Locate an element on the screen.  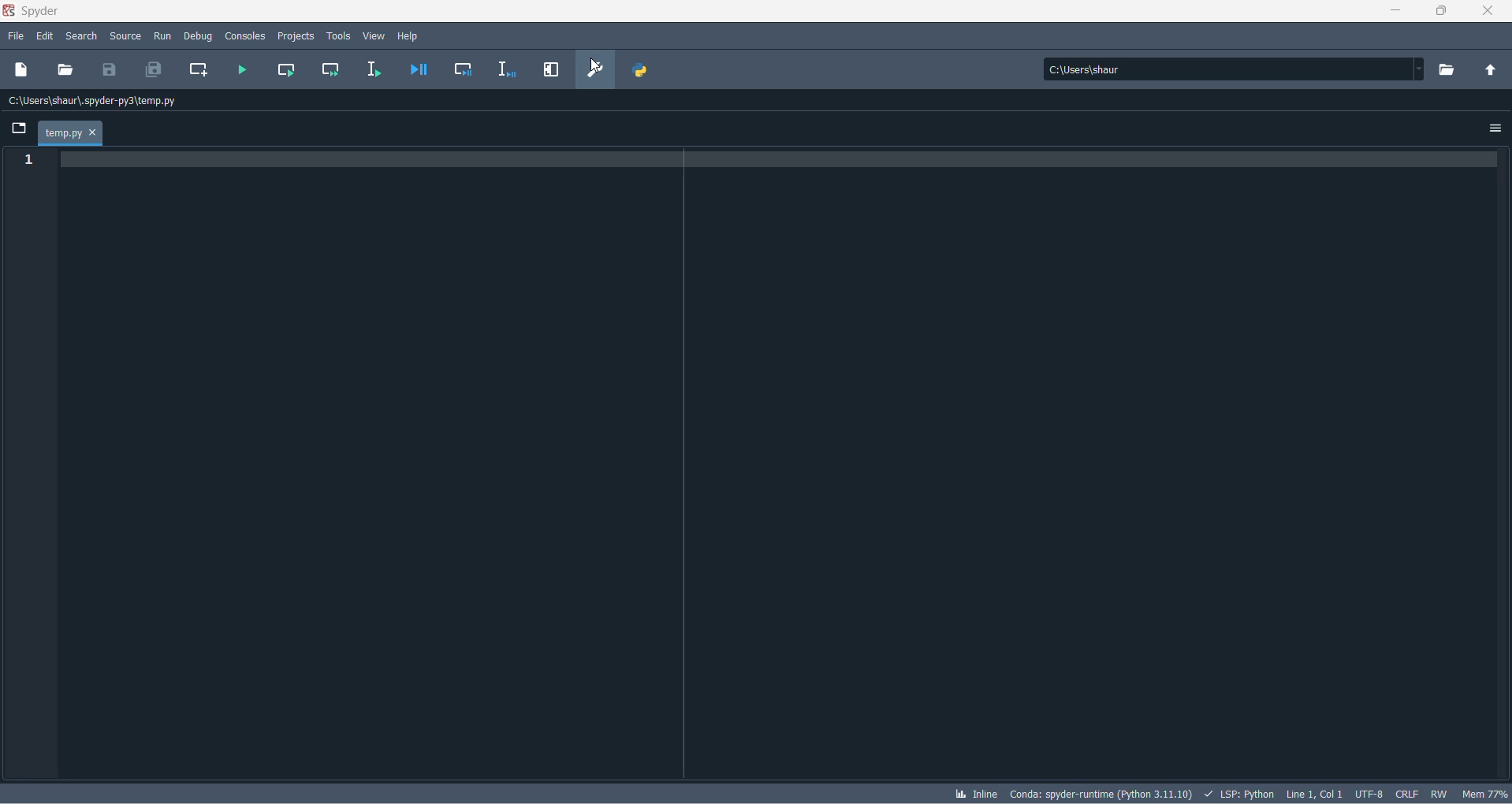
debug selection is located at coordinates (505, 71).